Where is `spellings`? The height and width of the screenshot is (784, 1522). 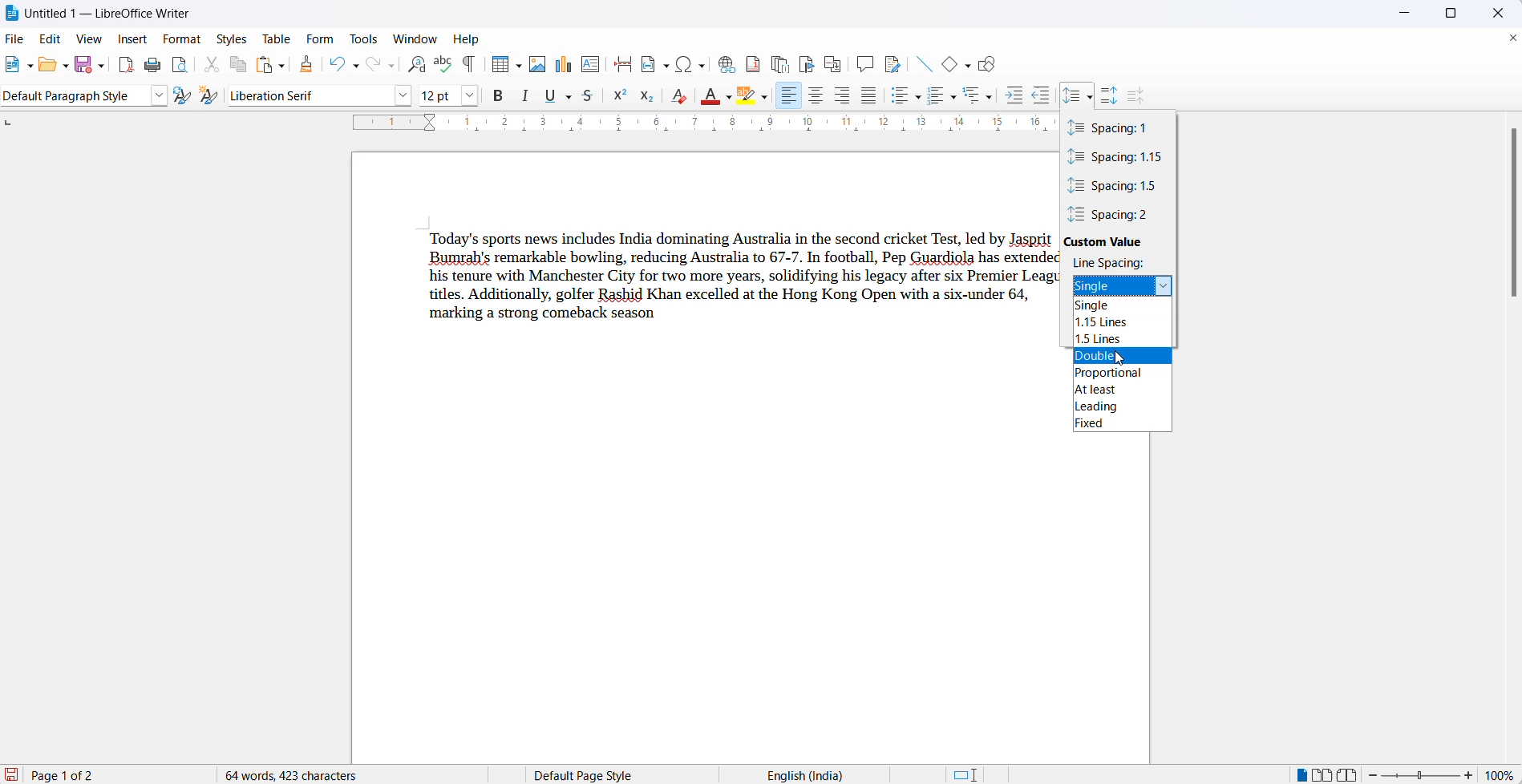
spellings is located at coordinates (443, 65).